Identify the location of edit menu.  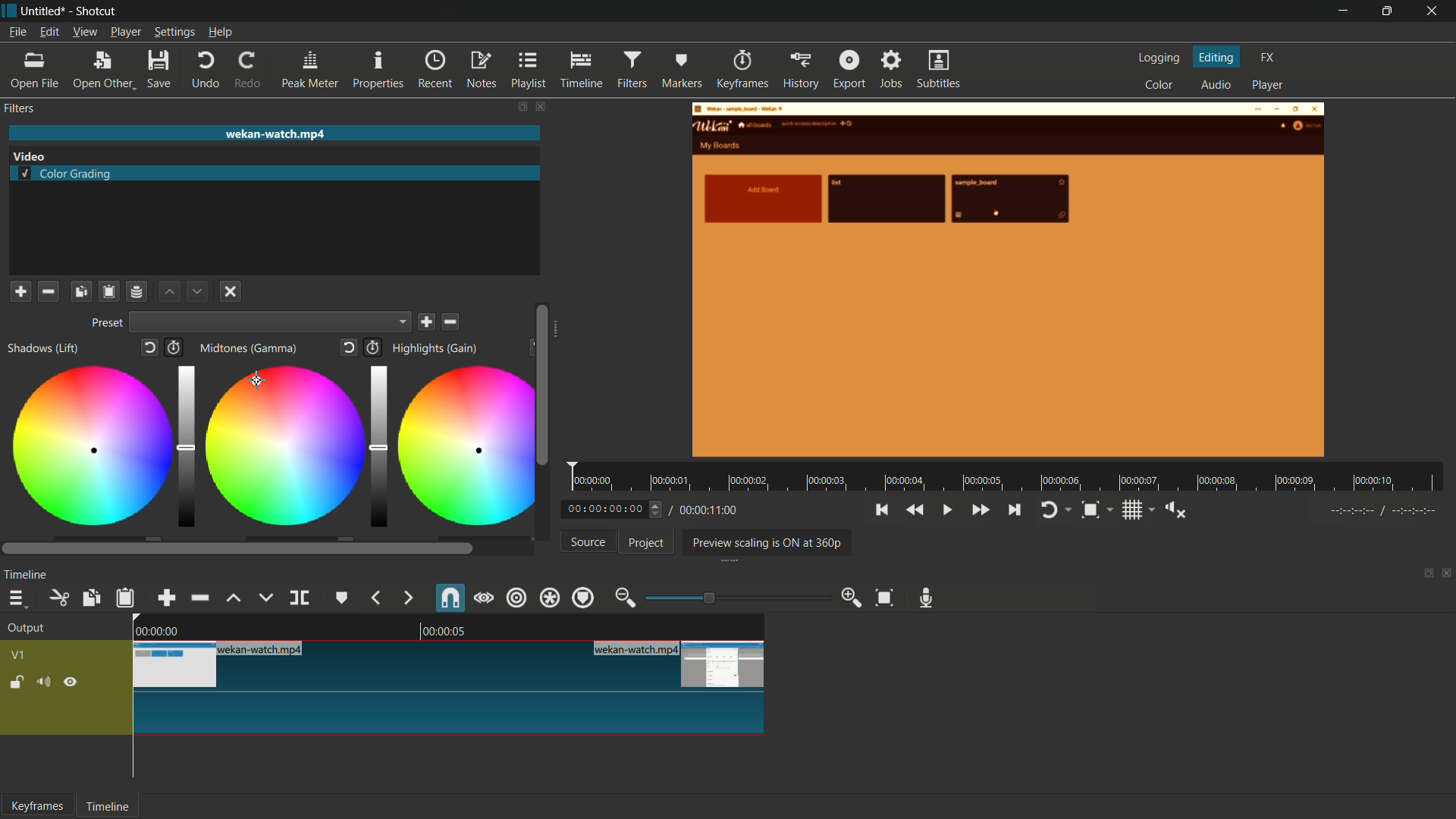
(49, 32).